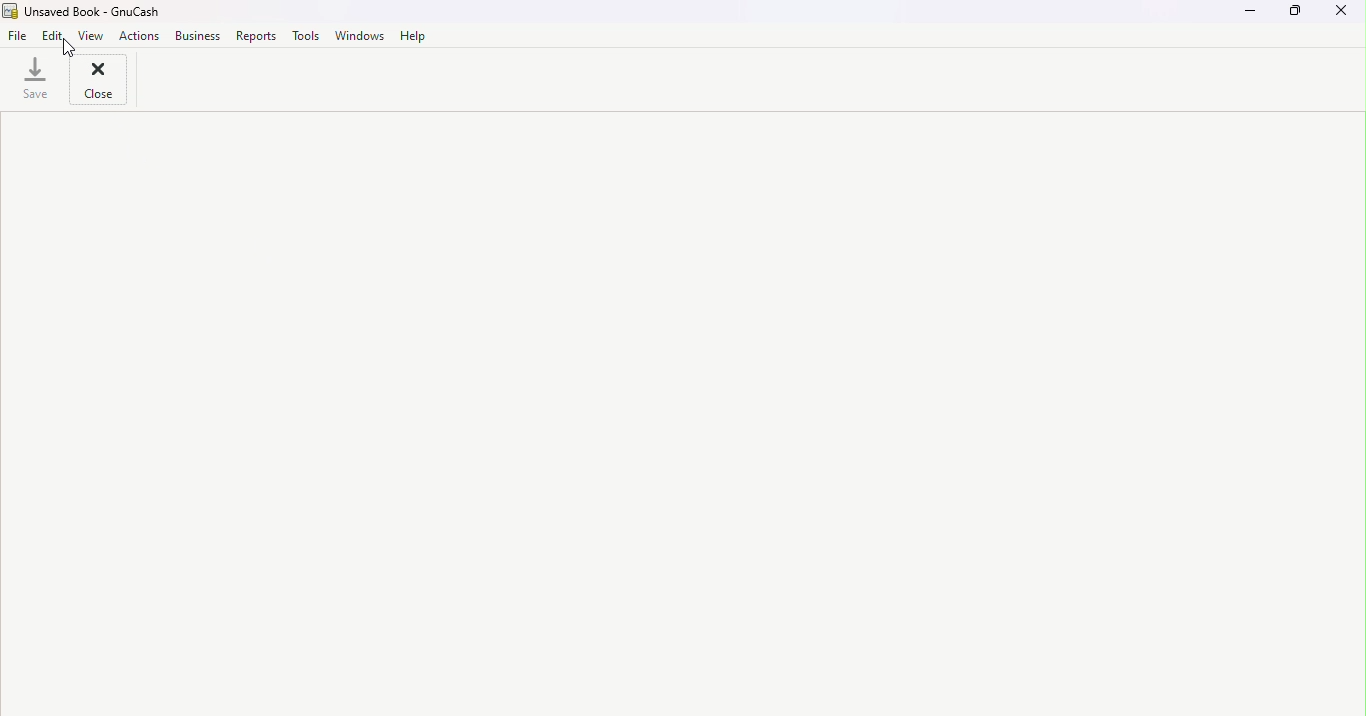 This screenshot has width=1366, height=716. Describe the element at coordinates (412, 34) in the screenshot. I see `Help` at that location.